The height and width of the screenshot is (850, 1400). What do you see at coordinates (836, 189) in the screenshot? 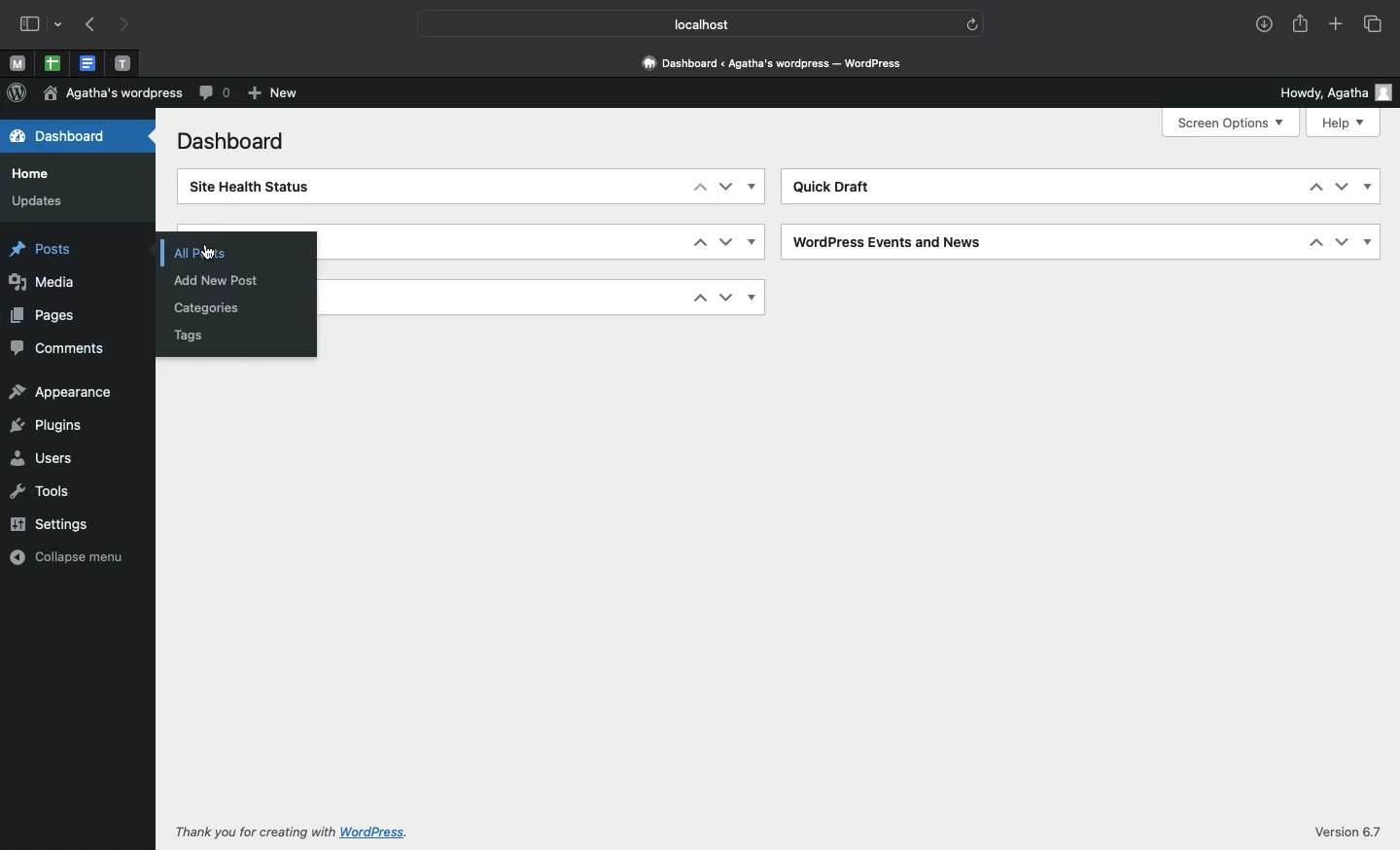
I see `Quick draft` at bounding box center [836, 189].